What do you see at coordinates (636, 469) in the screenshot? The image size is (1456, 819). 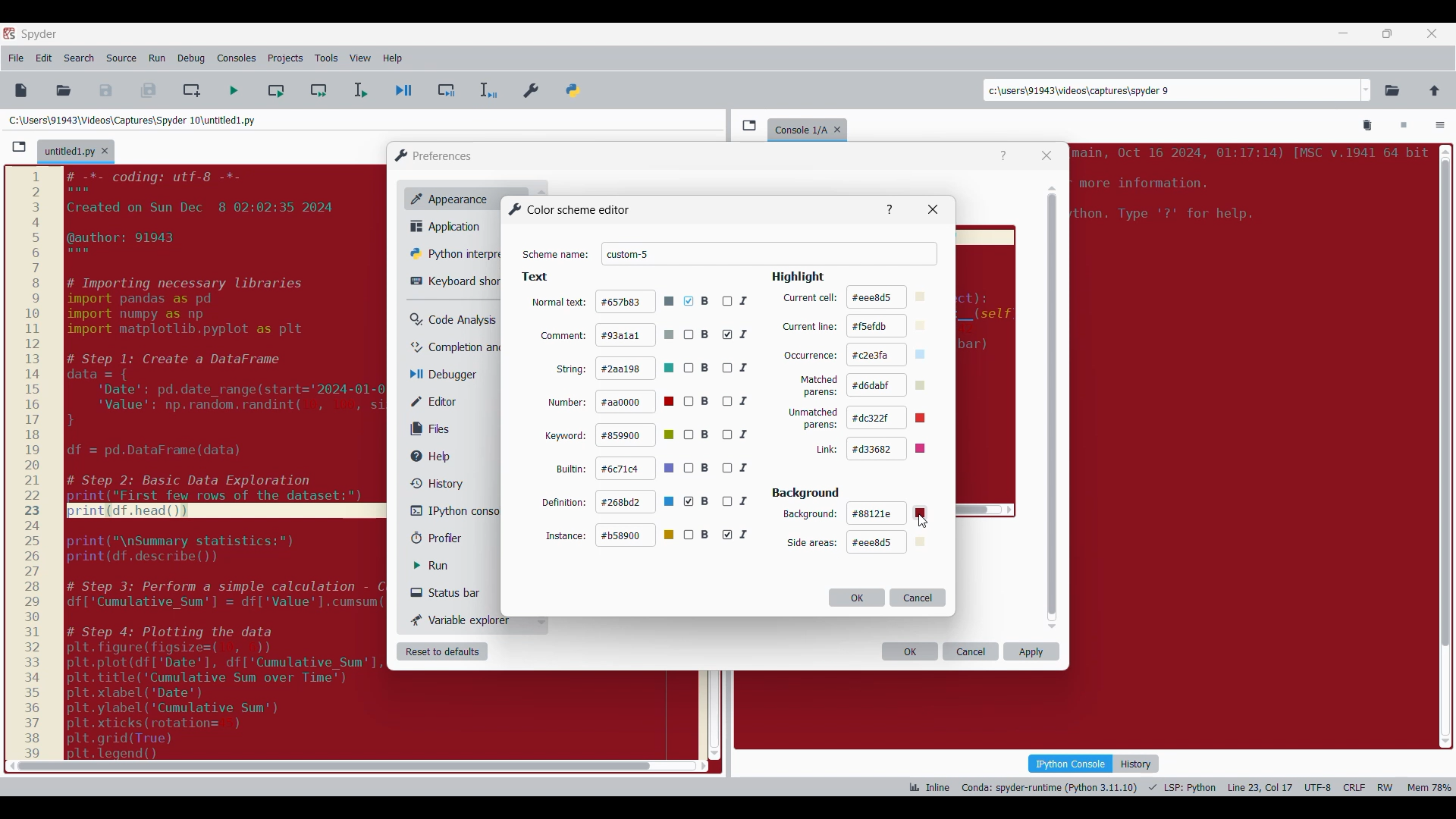 I see `#6c71c4` at bounding box center [636, 469].